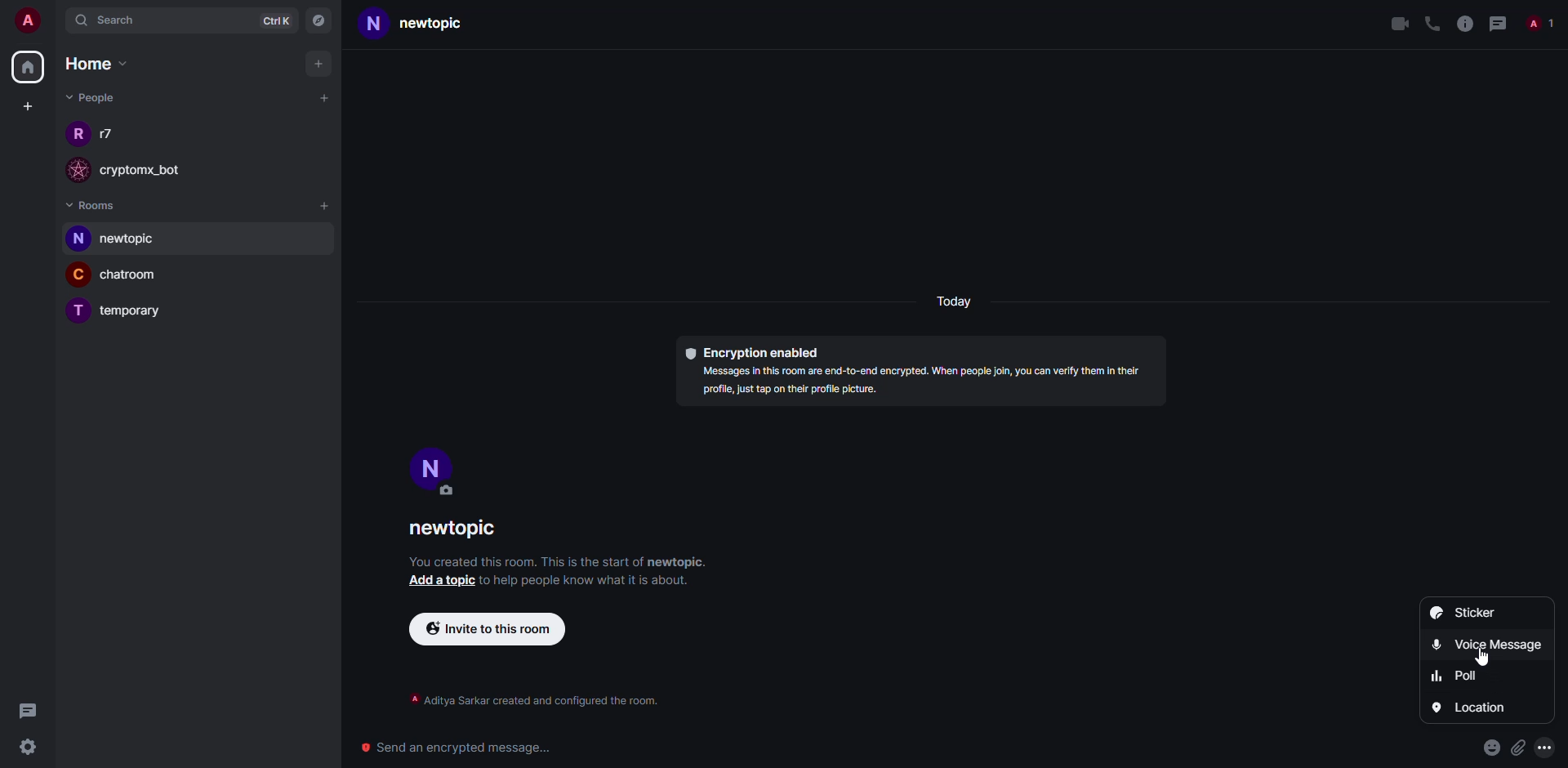  I want to click on create space, so click(27, 108).